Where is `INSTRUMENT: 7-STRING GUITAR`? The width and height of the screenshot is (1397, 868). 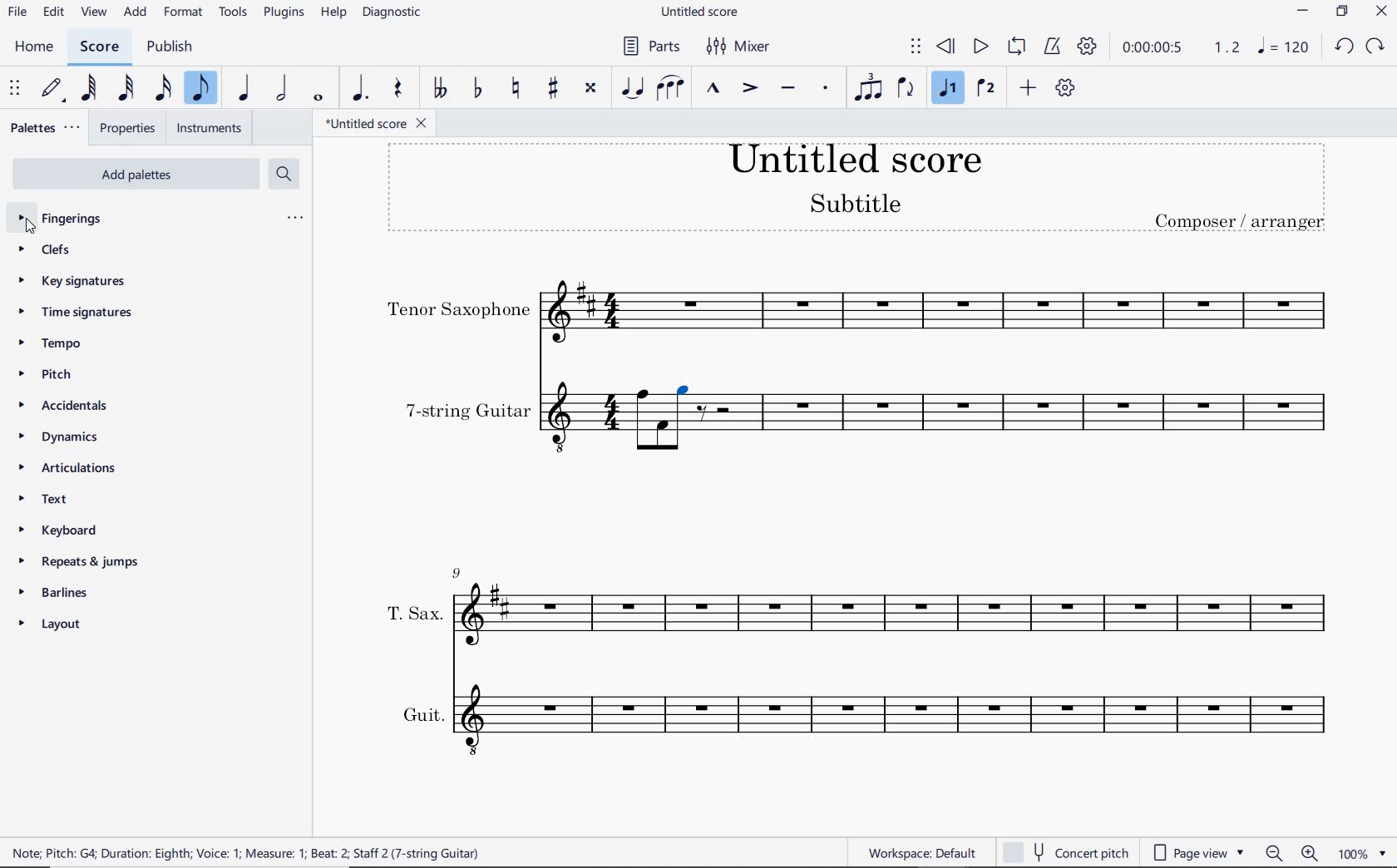
INSTRUMENT: 7-STRING GUITAR is located at coordinates (522, 421).